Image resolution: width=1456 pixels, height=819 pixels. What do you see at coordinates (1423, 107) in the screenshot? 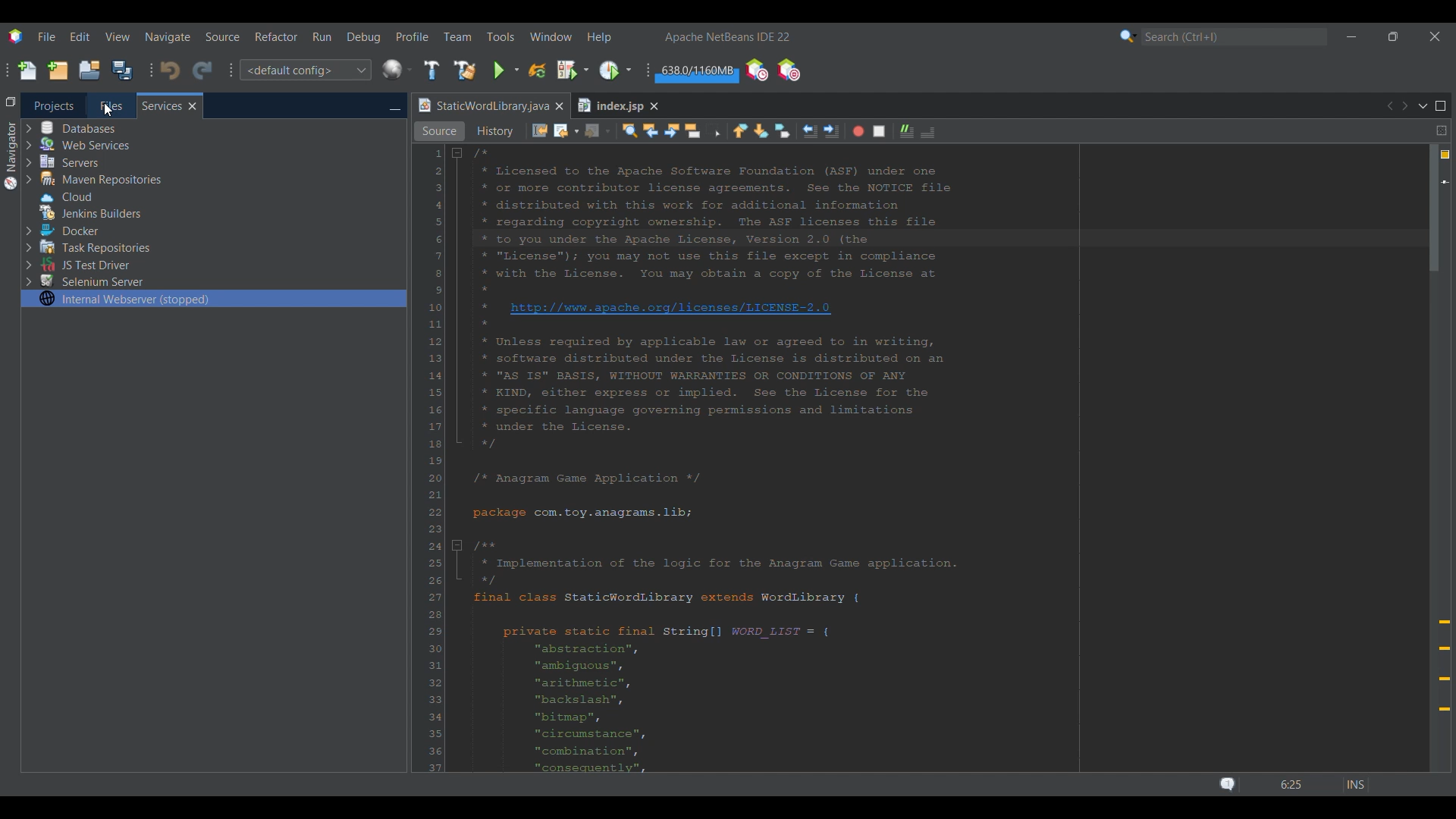
I see `Show opened documents list` at bounding box center [1423, 107].